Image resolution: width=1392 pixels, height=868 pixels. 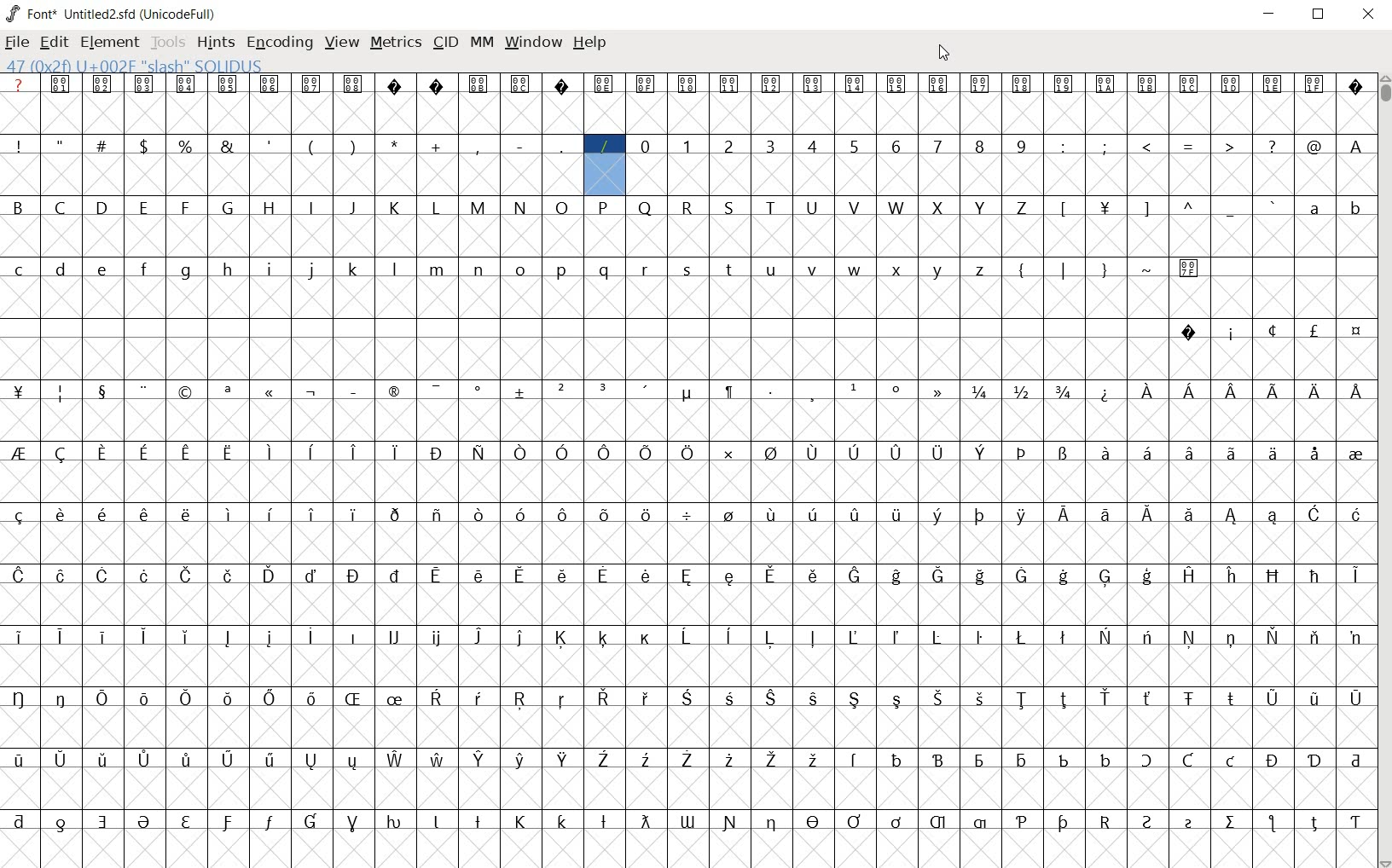 I want to click on glyph, so click(x=1356, y=823).